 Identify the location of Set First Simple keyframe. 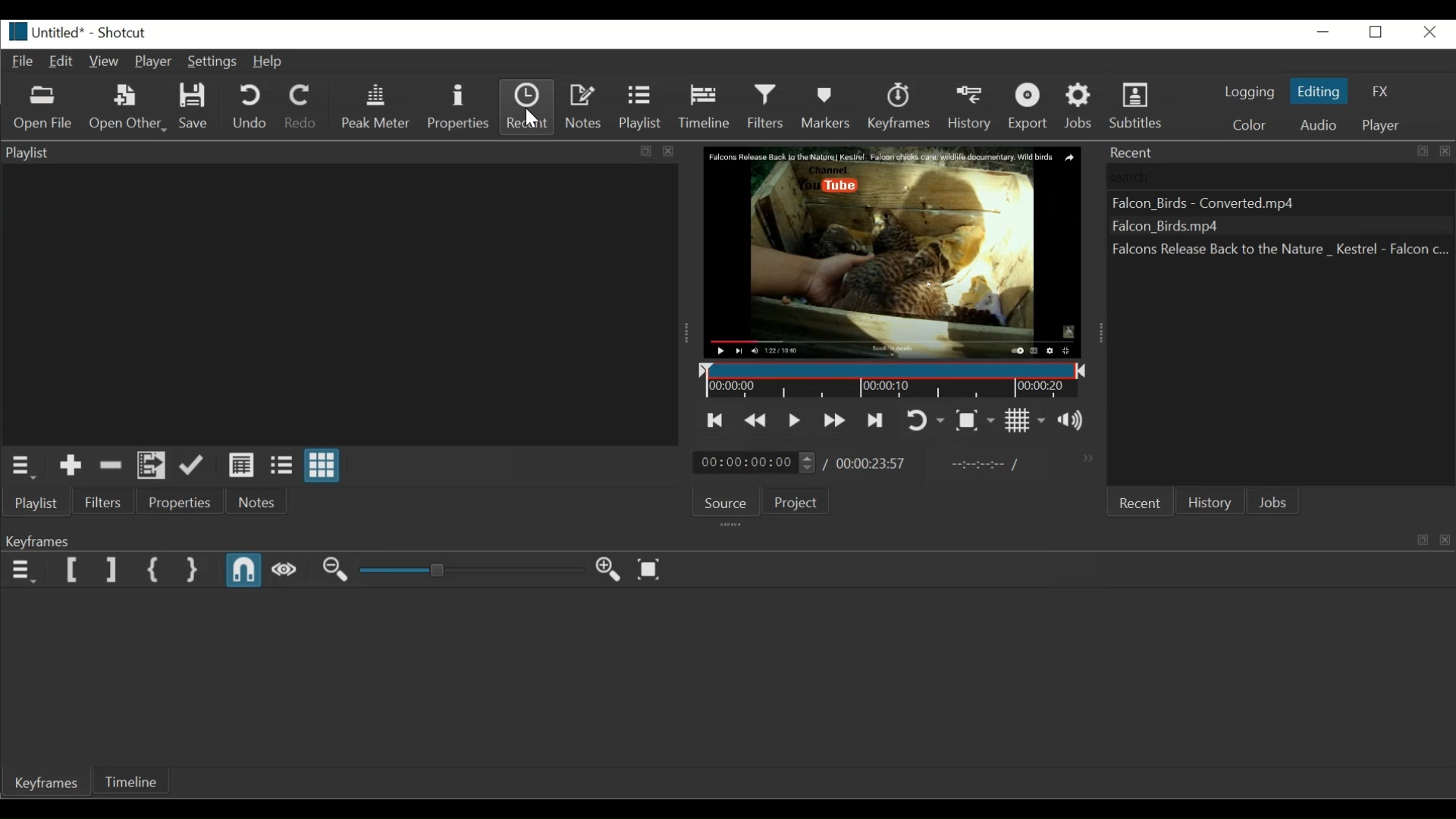
(152, 571).